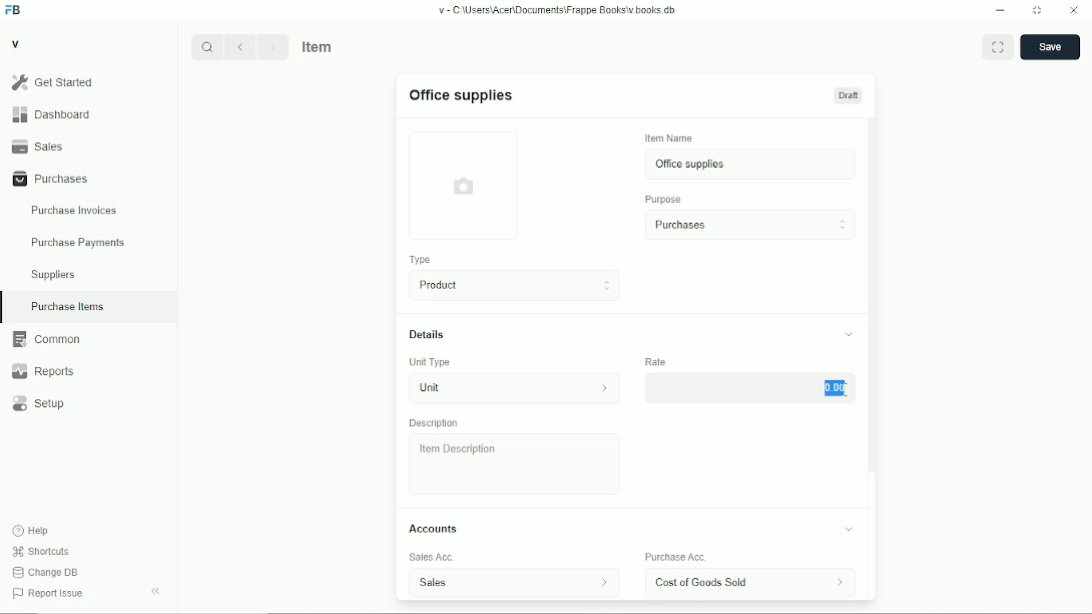 The height and width of the screenshot is (614, 1092). Describe the element at coordinates (461, 96) in the screenshot. I see `office supplies` at that location.